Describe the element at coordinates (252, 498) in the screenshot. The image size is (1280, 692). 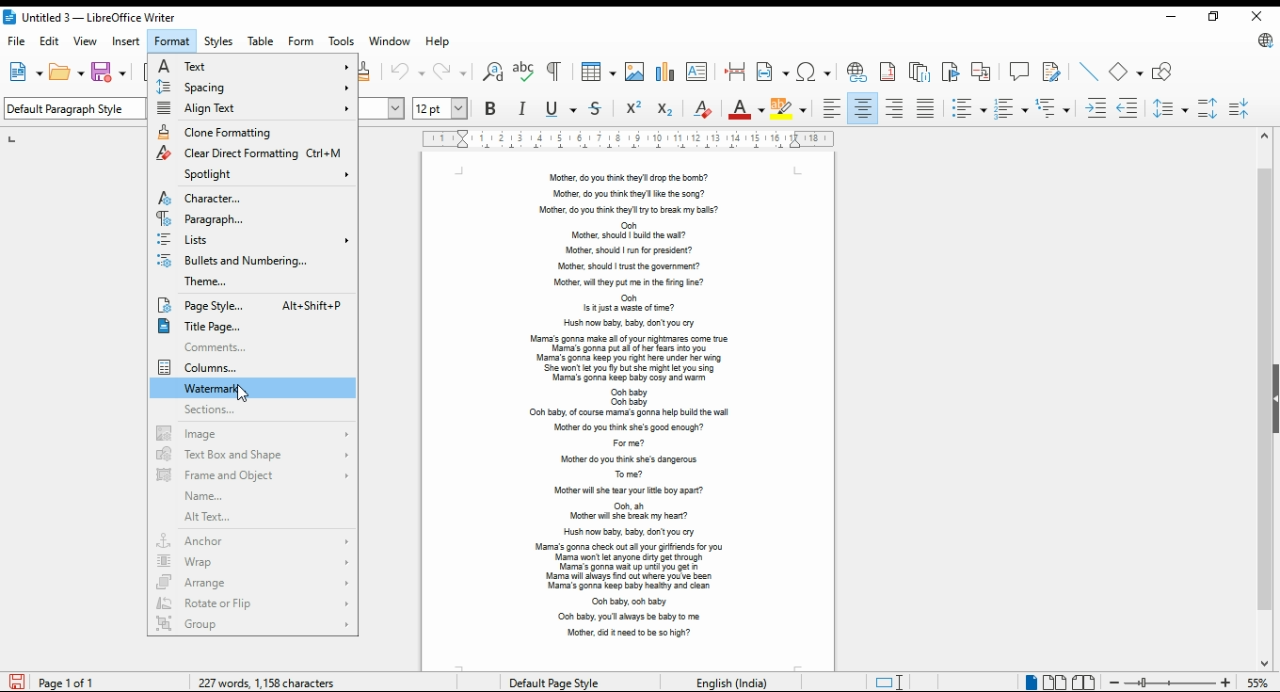
I see `name` at that location.